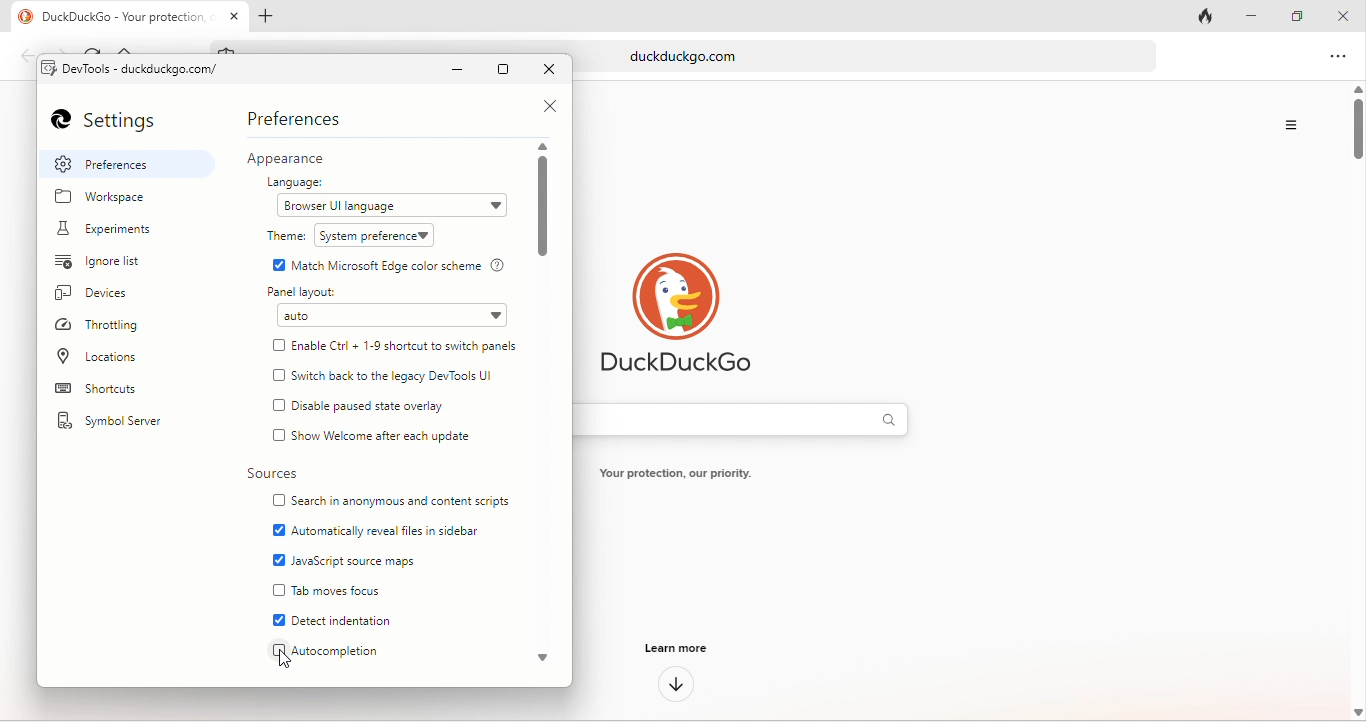 The height and width of the screenshot is (722, 1366). I want to click on close, so click(1343, 15).